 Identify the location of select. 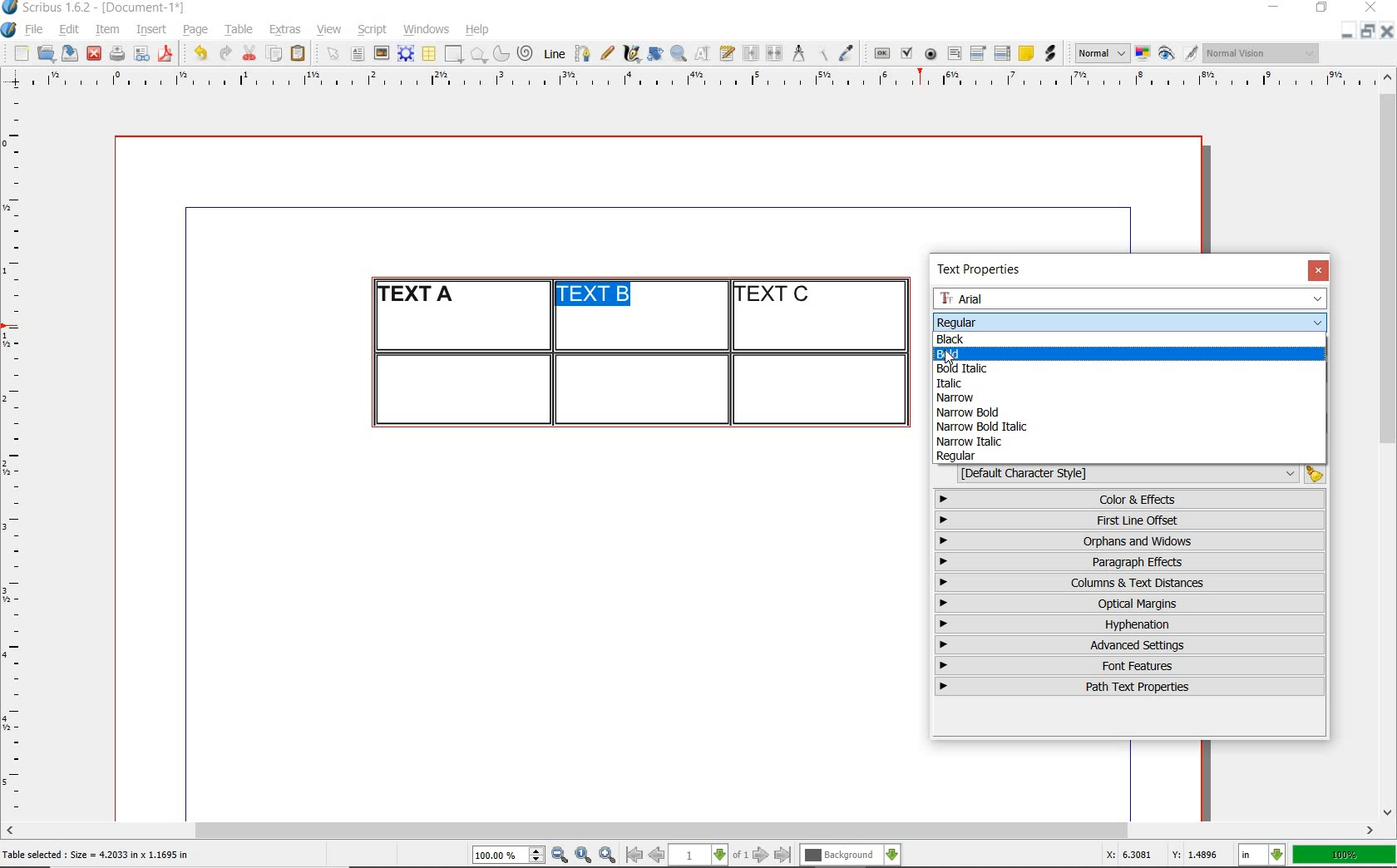
(334, 55).